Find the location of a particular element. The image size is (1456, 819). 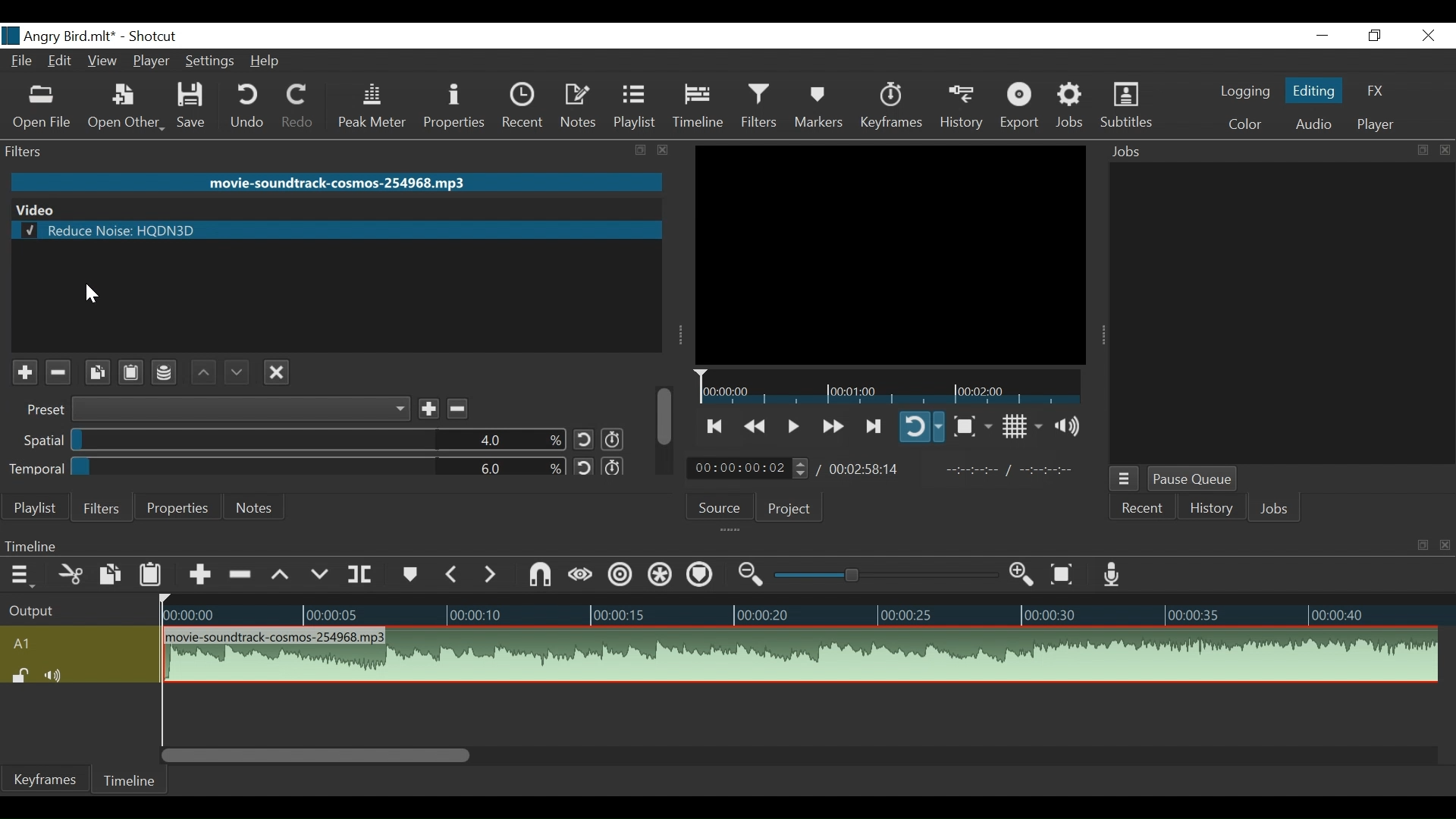

Save filter set is located at coordinates (167, 372).